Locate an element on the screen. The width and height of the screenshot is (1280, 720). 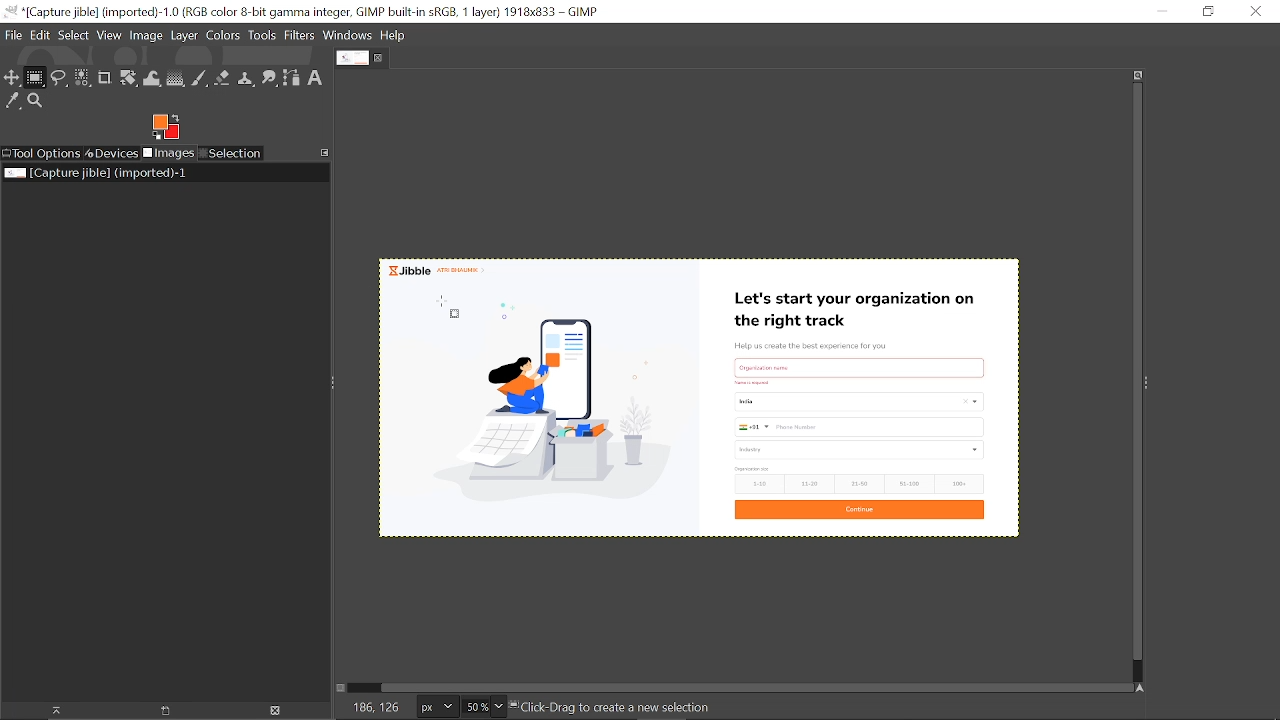
Image unit is located at coordinates (433, 707).